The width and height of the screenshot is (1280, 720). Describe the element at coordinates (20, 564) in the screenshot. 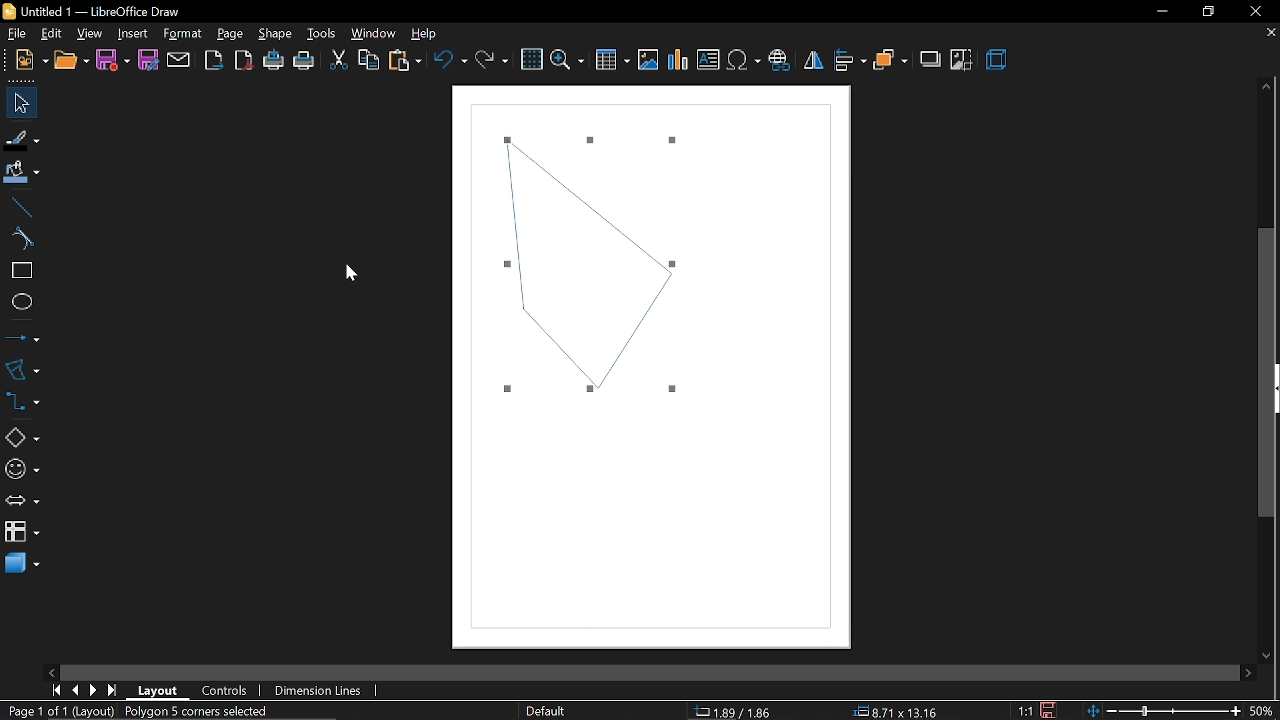

I see `3d shapes` at that location.